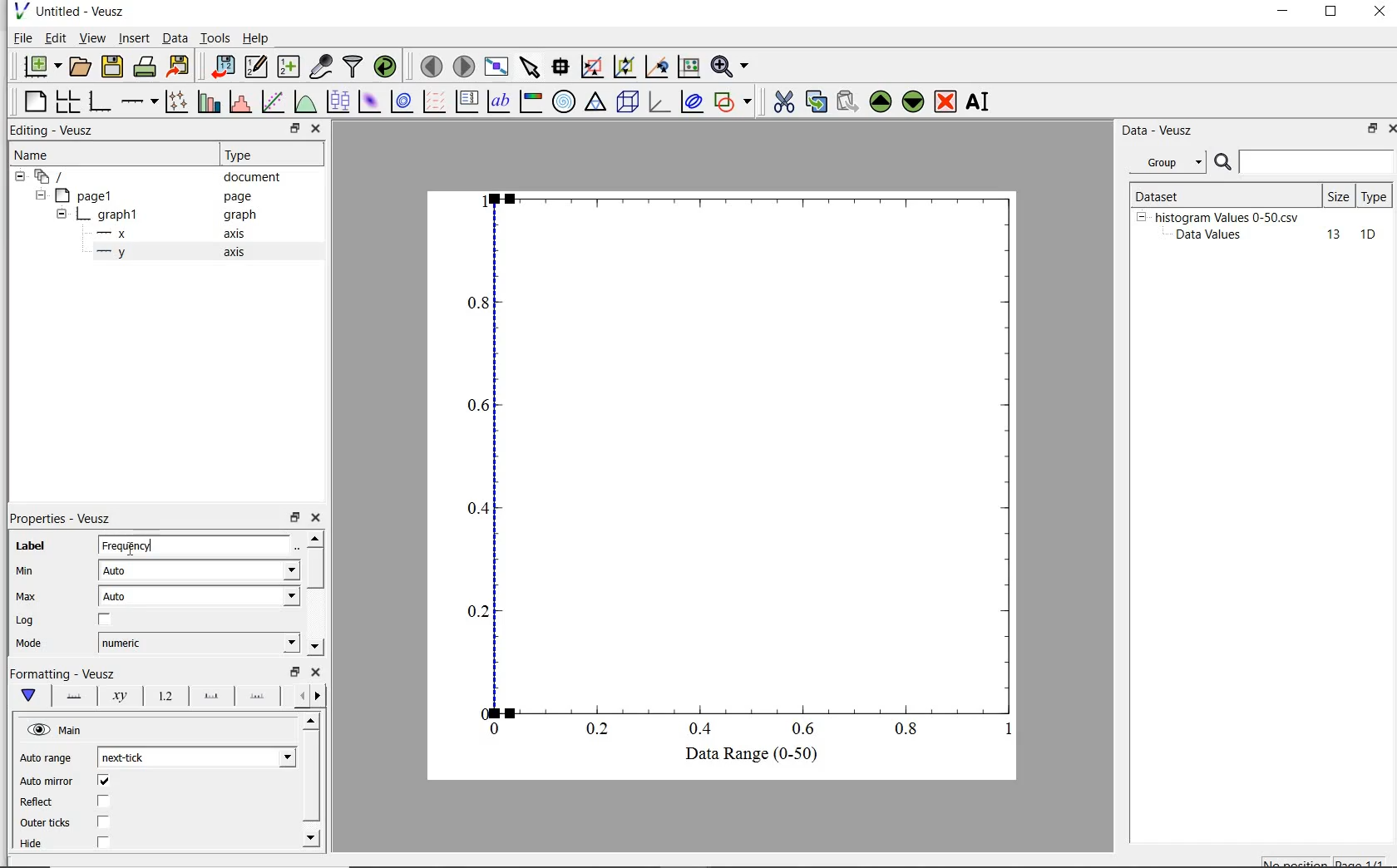 This screenshot has height=868, width=1397. What do you see at coordinates (815, 104) in the screenshot?
I see `copy the selected widget` at bounding box center [815, 104].